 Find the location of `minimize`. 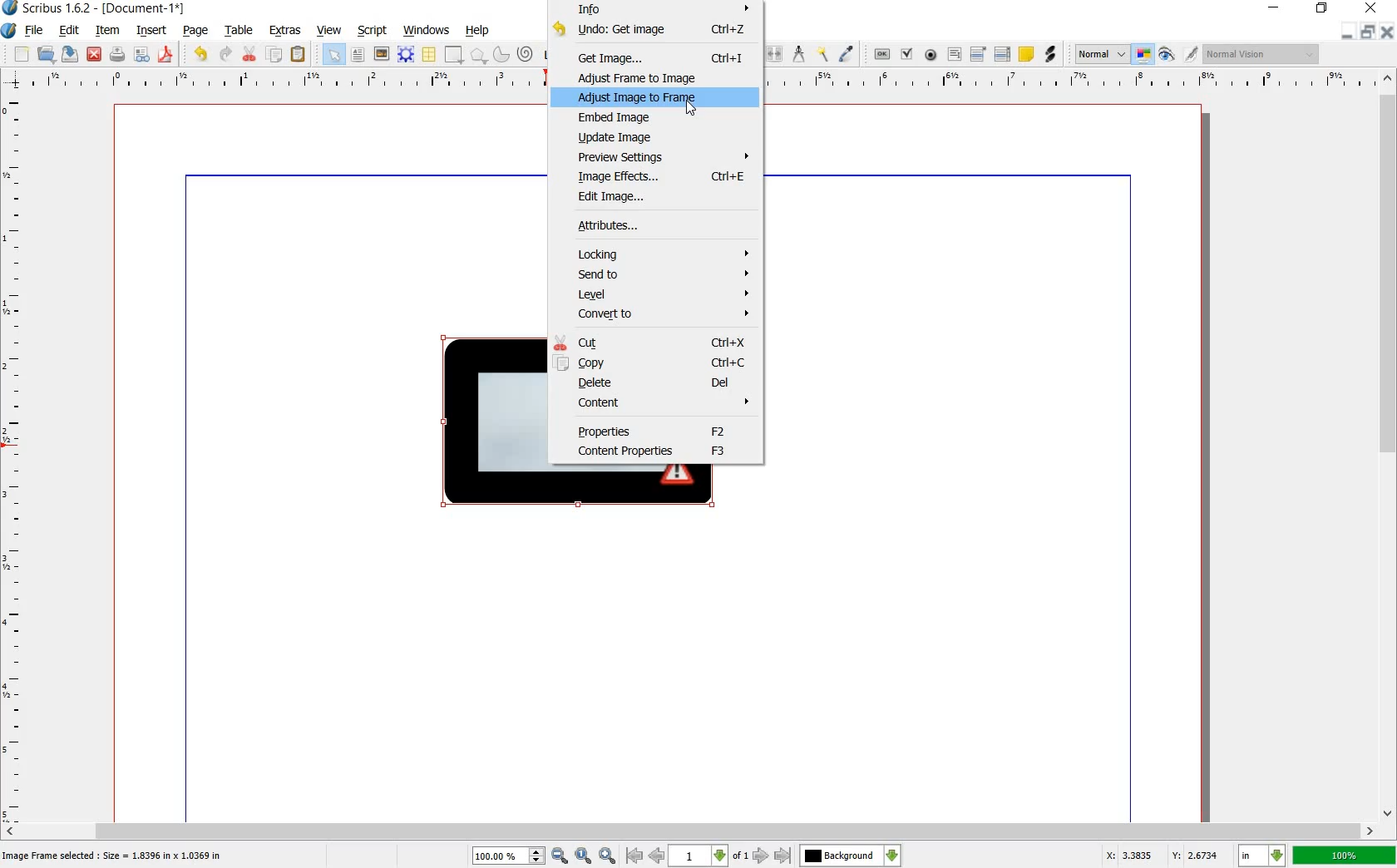

minimize is located at coordinates (1345, 32).